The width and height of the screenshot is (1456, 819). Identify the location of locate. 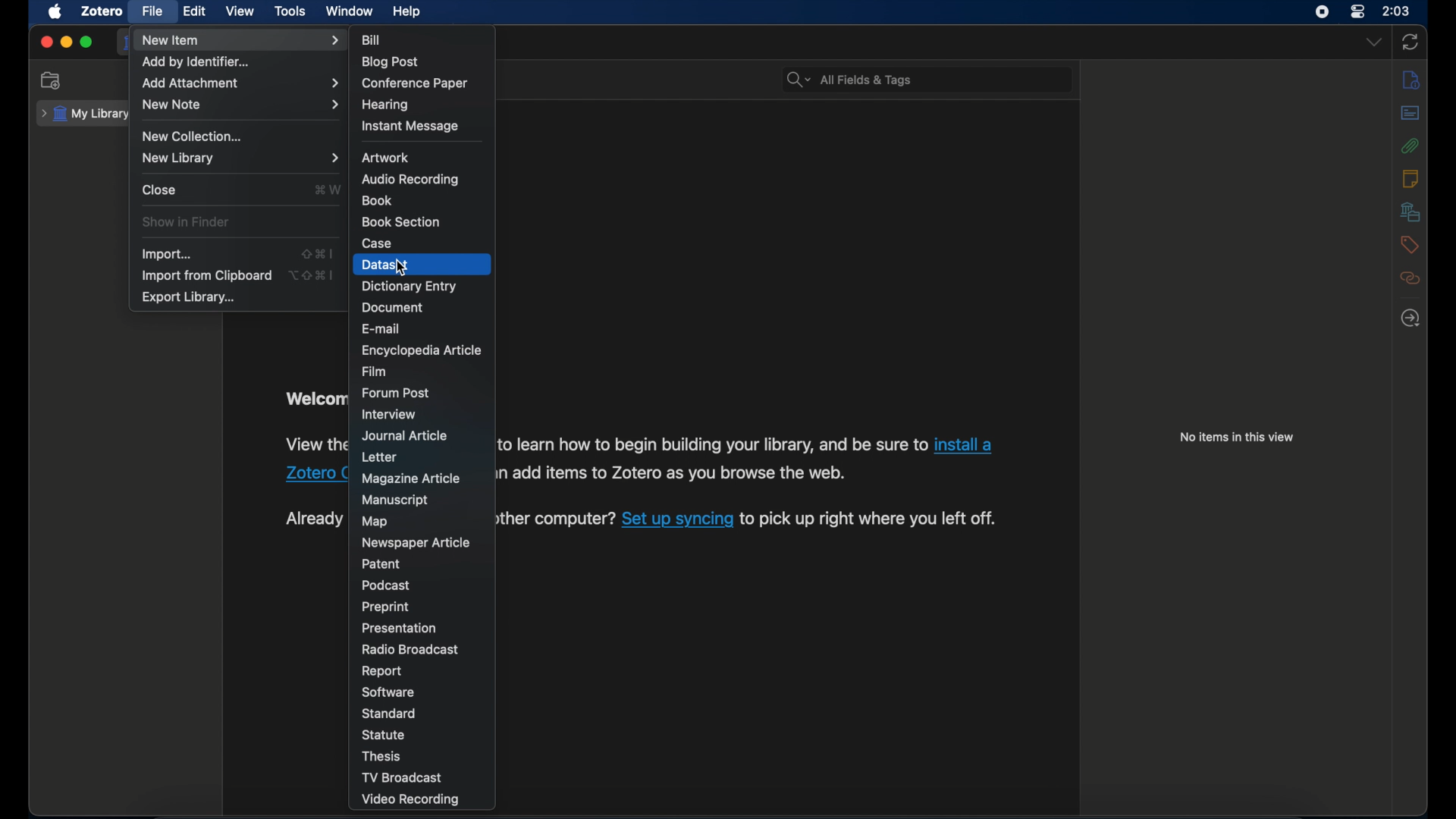
(1410, 318).